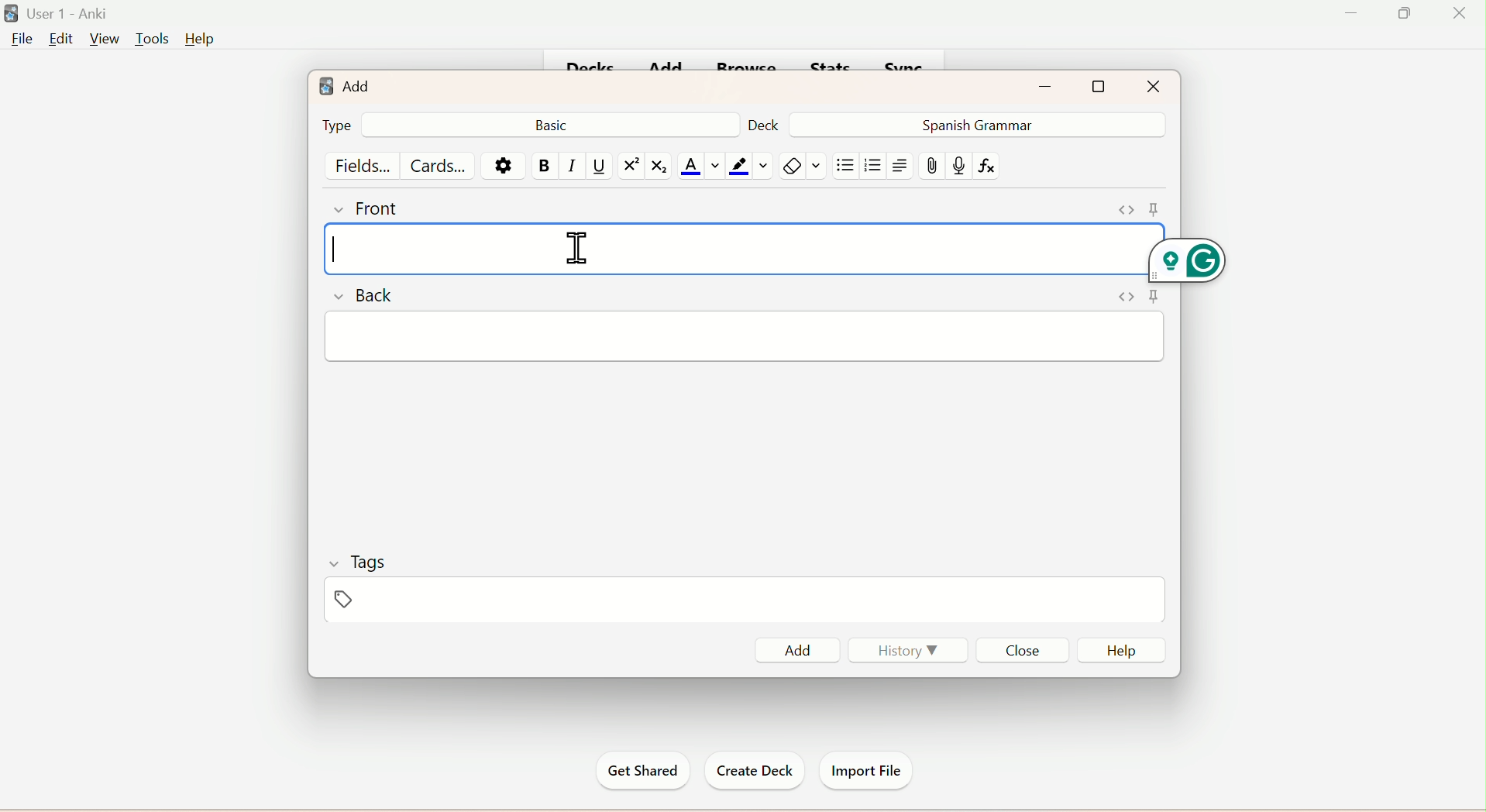 This screenshot has width=1486, height=812. I want to click on Maximize, so click(1100, 86).